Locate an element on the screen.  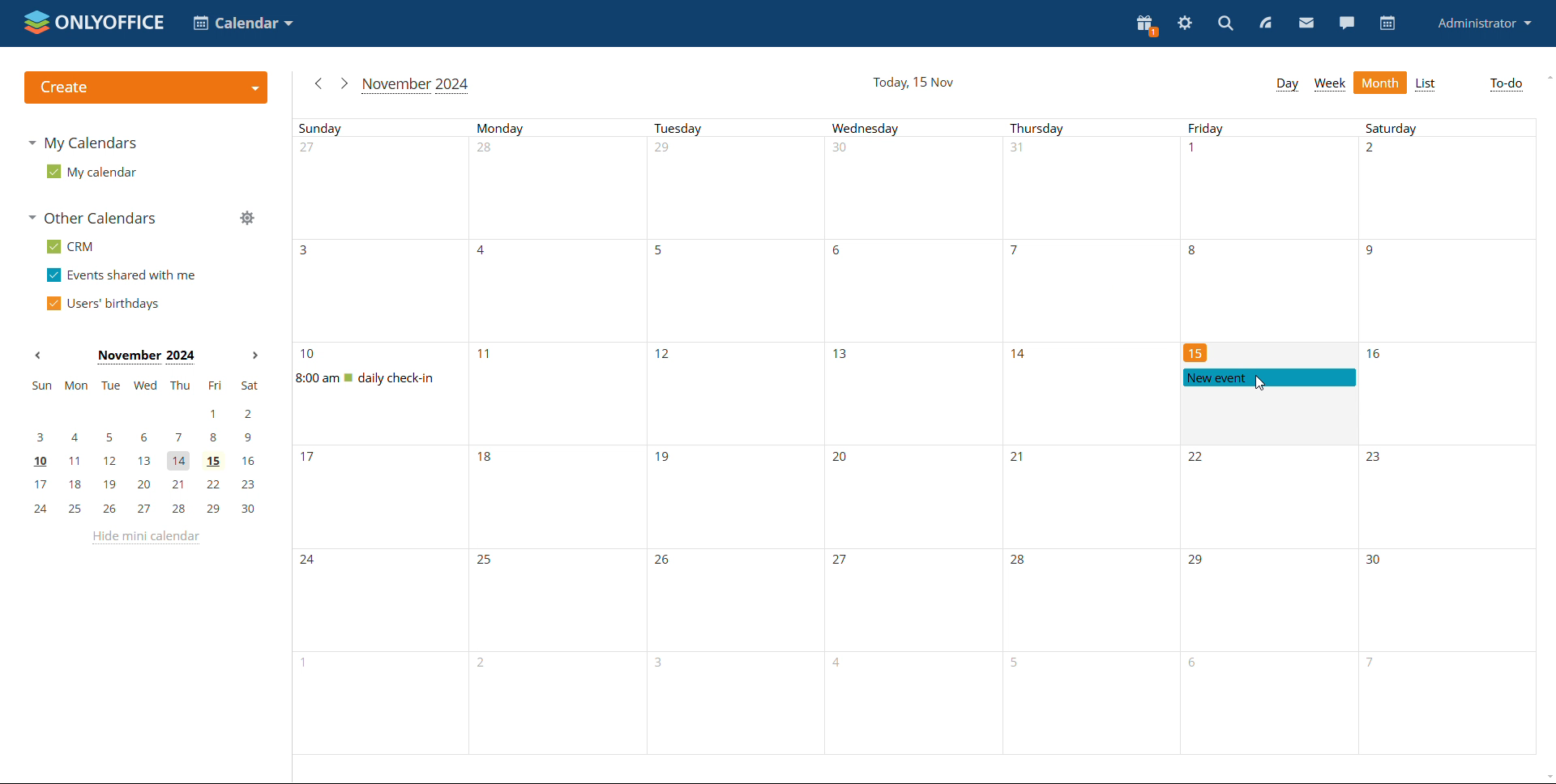
hide mini calendar is located at coordinates (145, 539).